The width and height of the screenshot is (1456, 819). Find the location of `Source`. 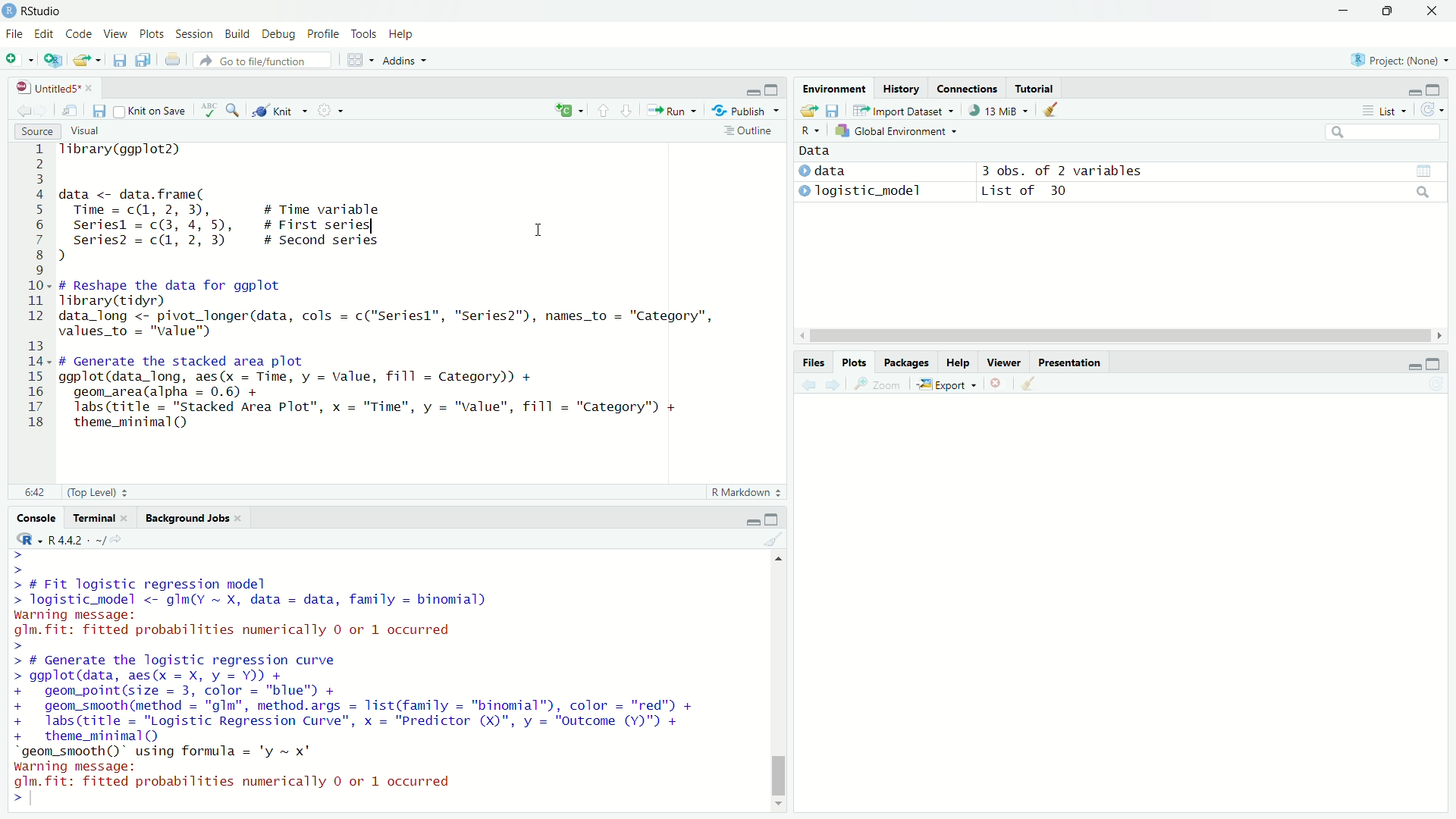

Source is located at coordinates (39, 129).